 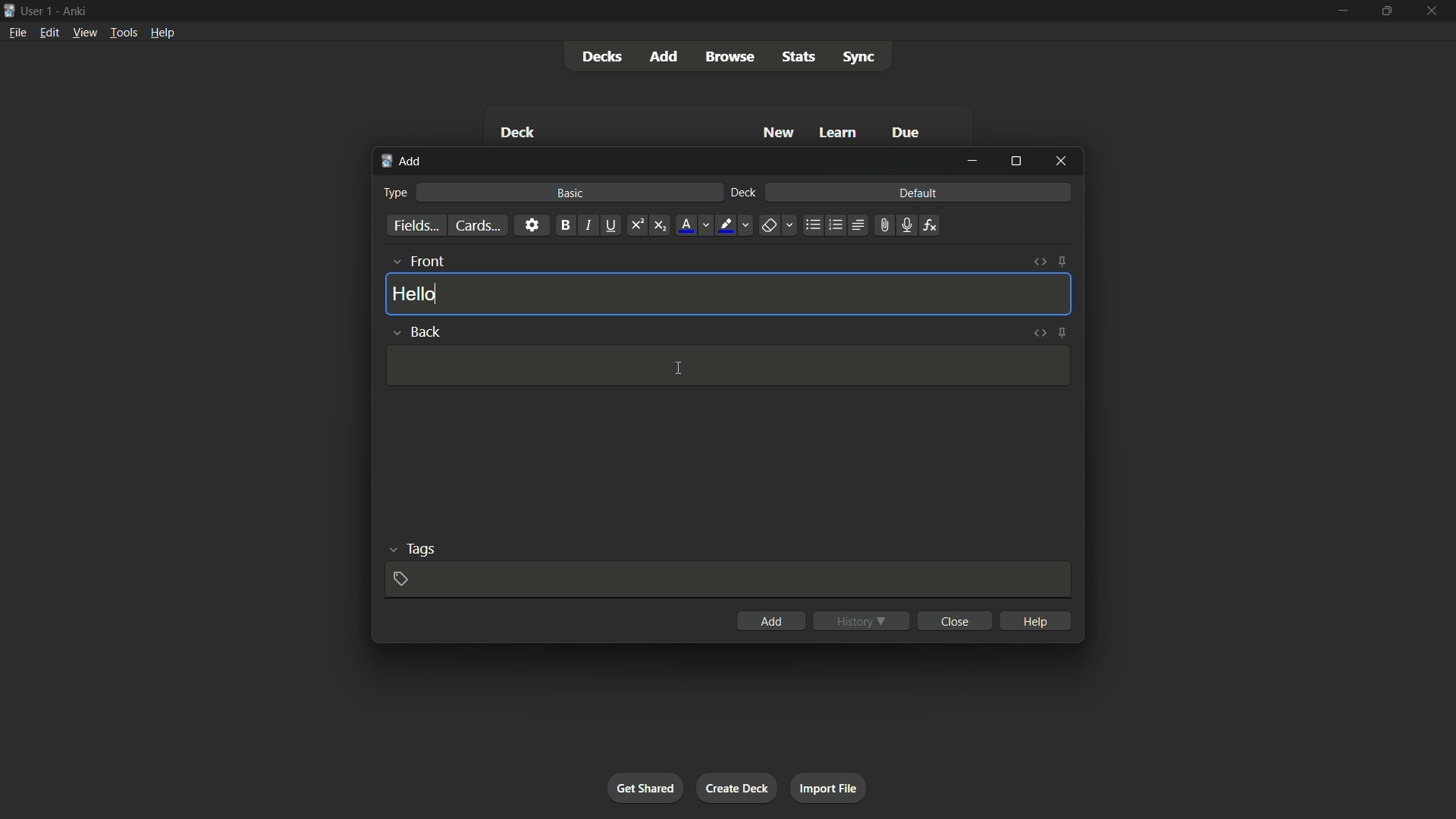 I want to click on view menu, so click(x=84, y=33).